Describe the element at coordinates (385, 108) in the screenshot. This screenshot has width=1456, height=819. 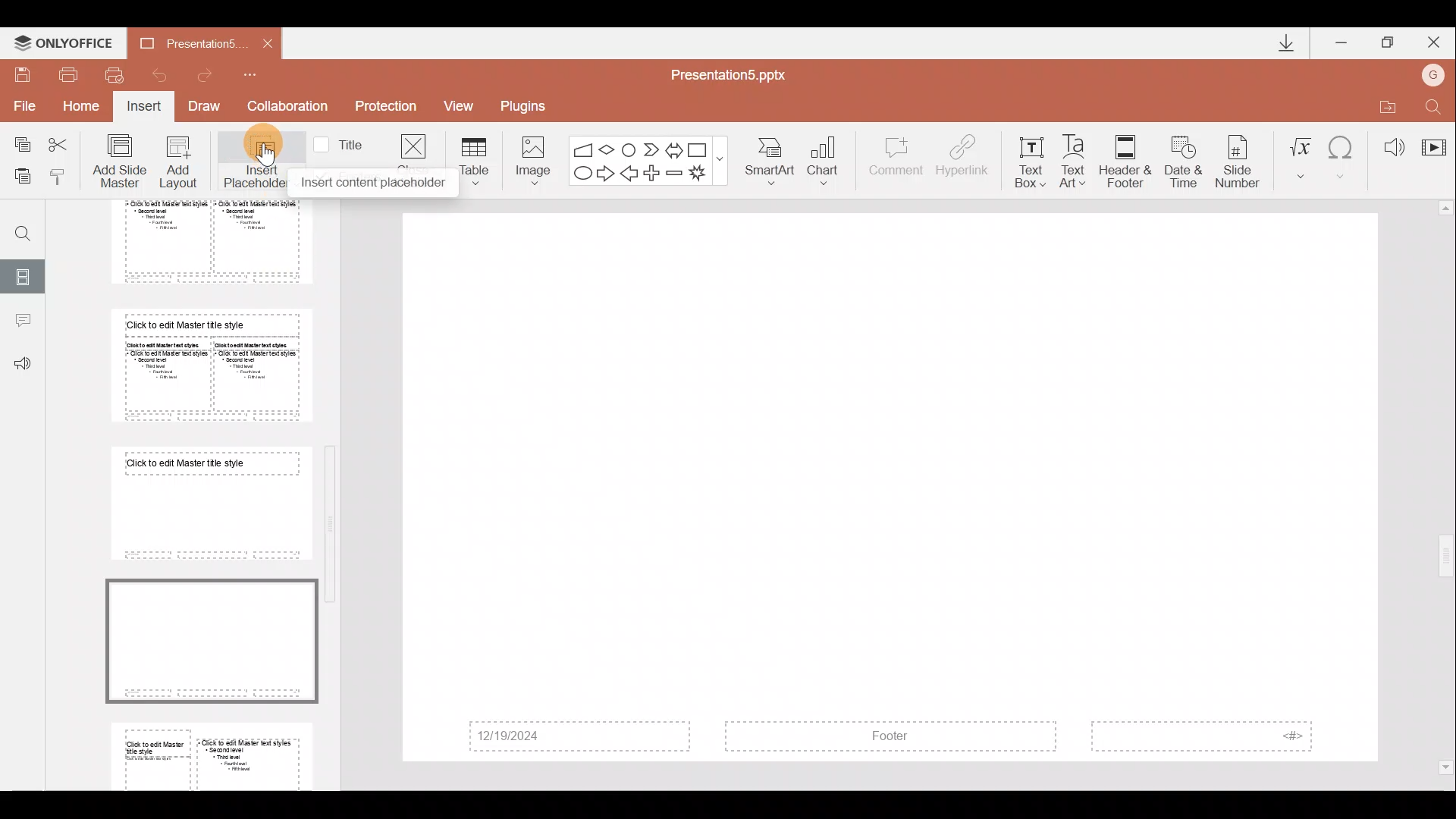
I see `Protection` at that location.